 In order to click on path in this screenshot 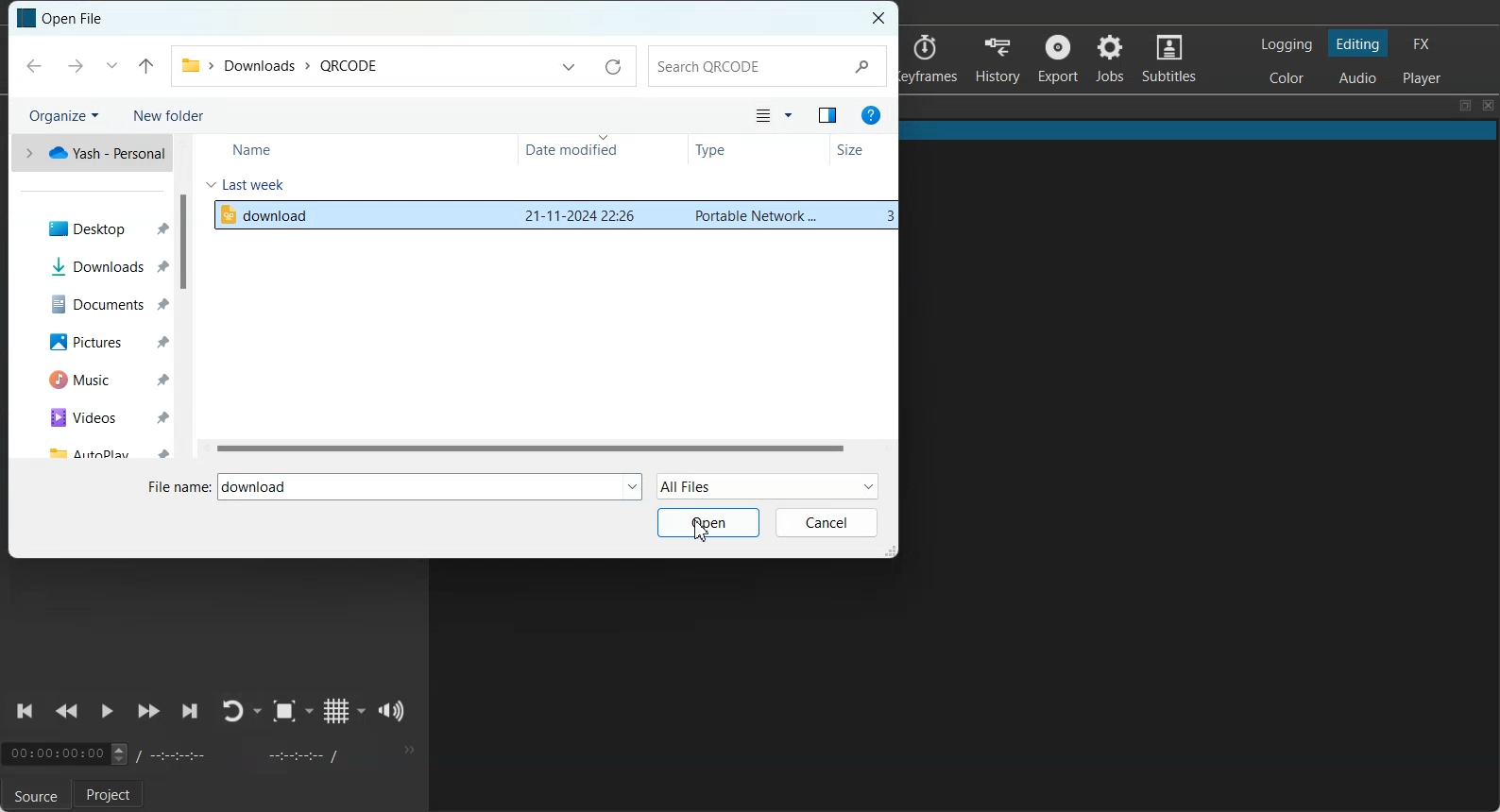, I will do `click(283, 65)`.